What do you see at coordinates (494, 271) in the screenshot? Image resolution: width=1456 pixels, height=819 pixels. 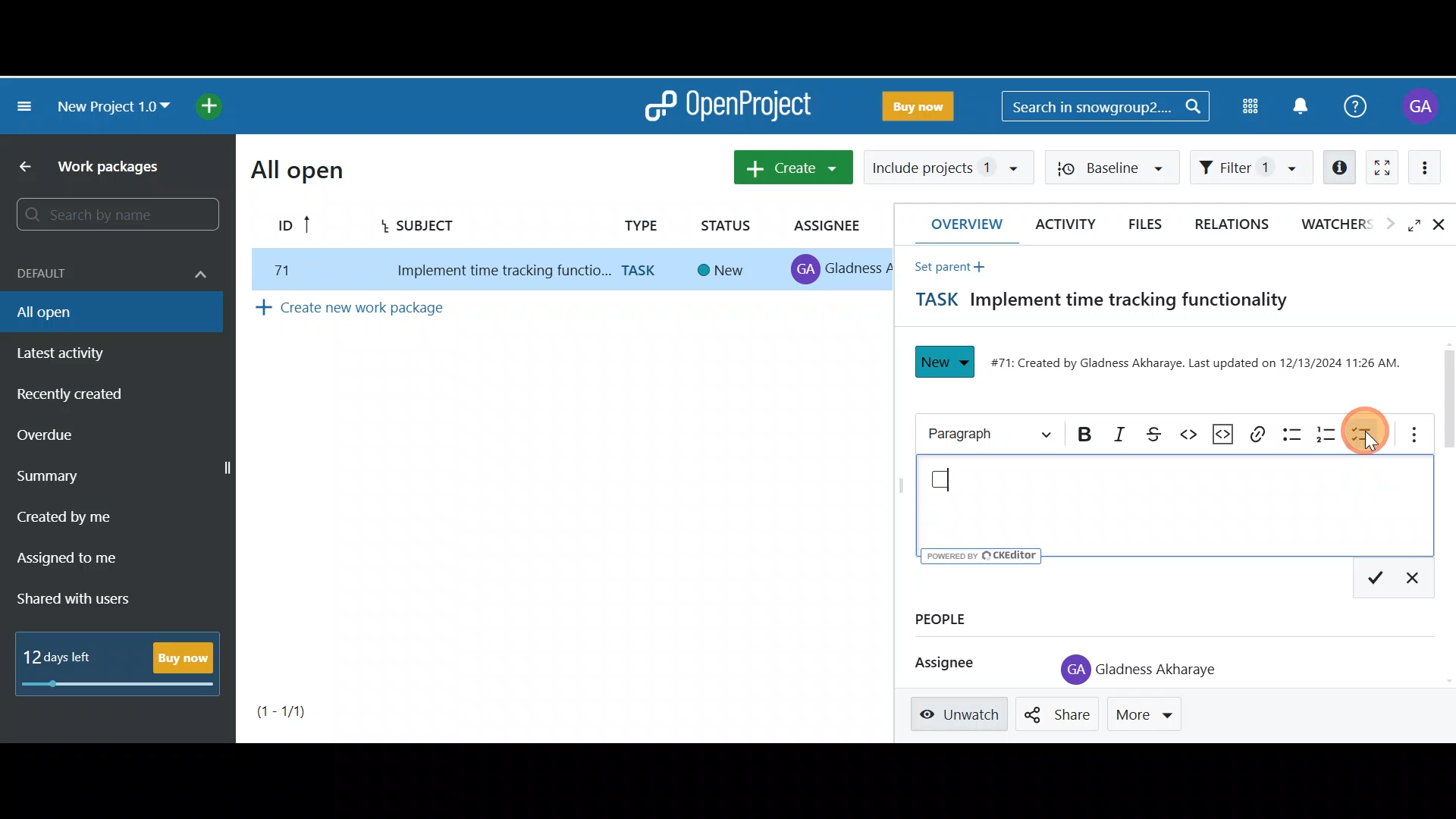 I see `implement time tracking function..` at bounding box center [494, 271].